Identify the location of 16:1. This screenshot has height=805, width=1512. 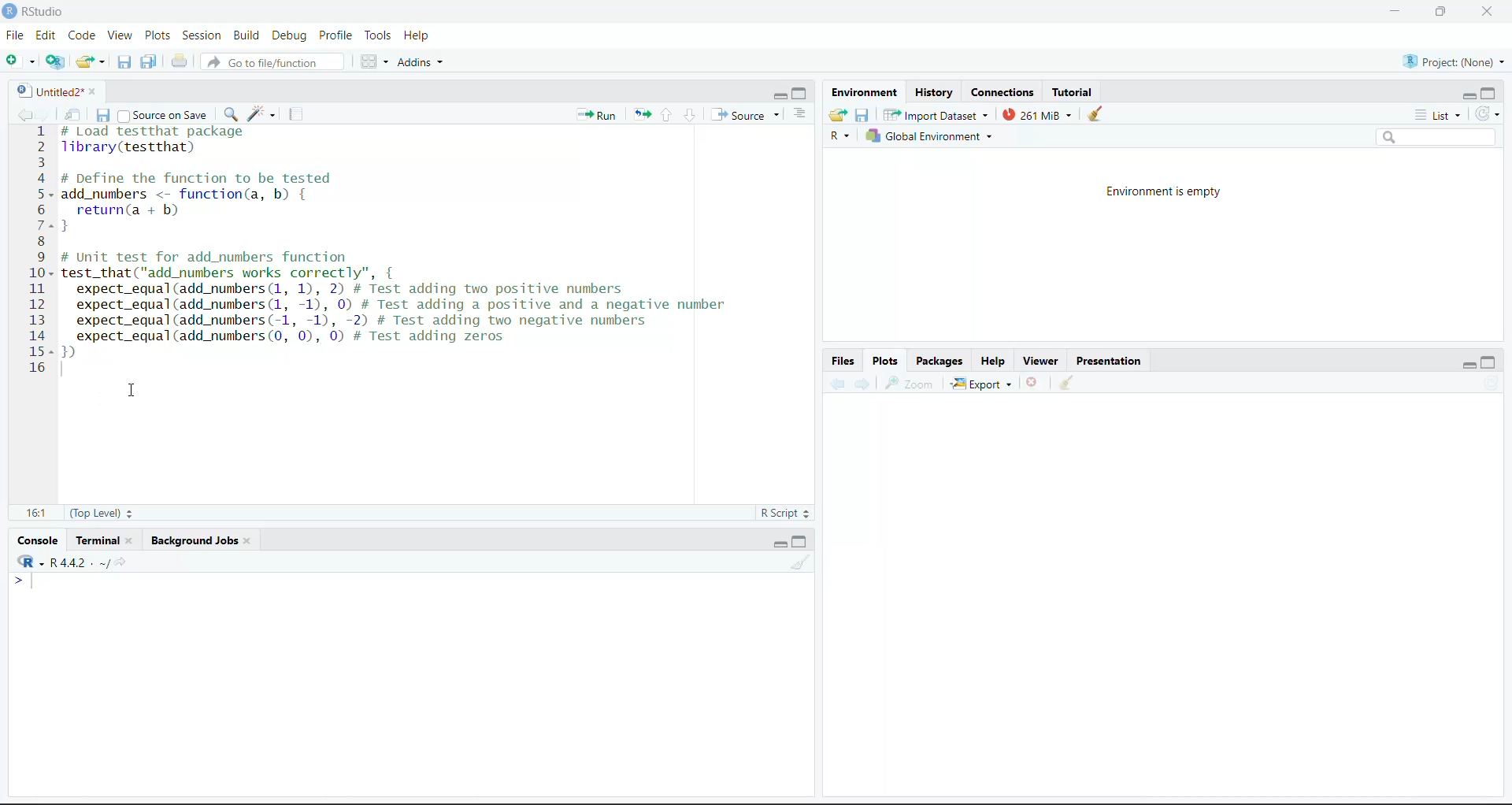
(35, 512).